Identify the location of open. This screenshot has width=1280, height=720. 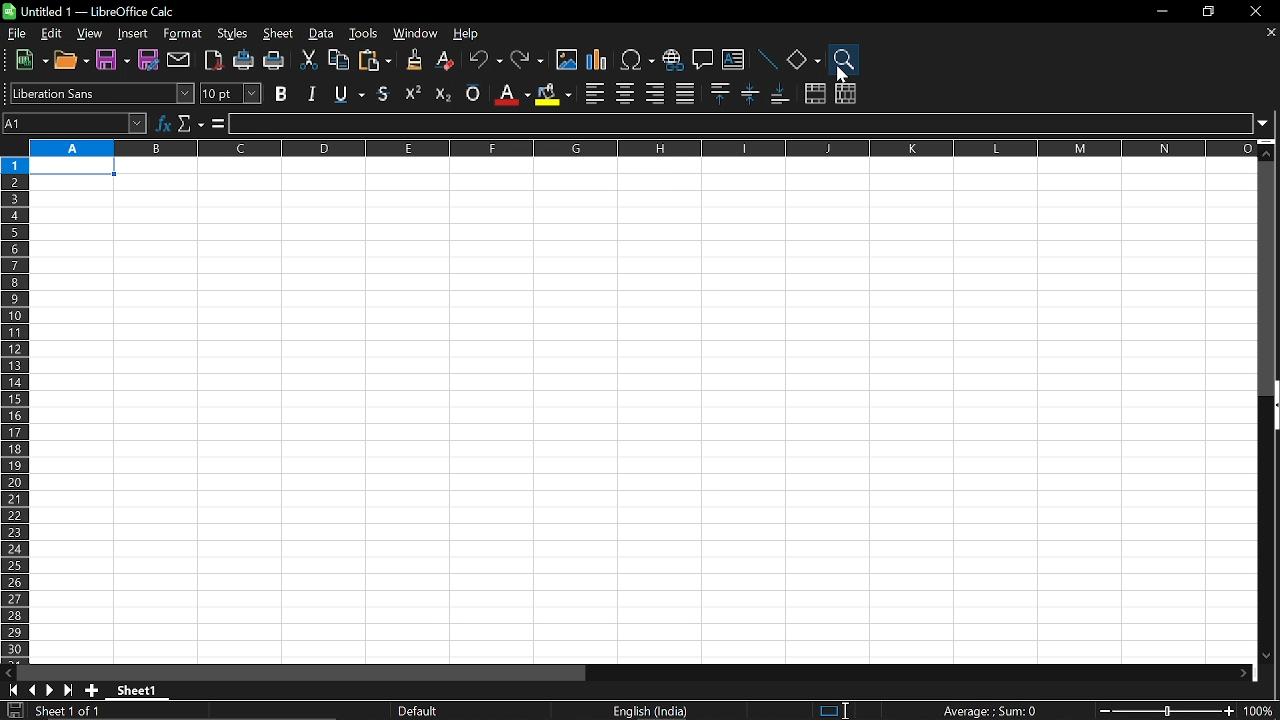
(73, 63).